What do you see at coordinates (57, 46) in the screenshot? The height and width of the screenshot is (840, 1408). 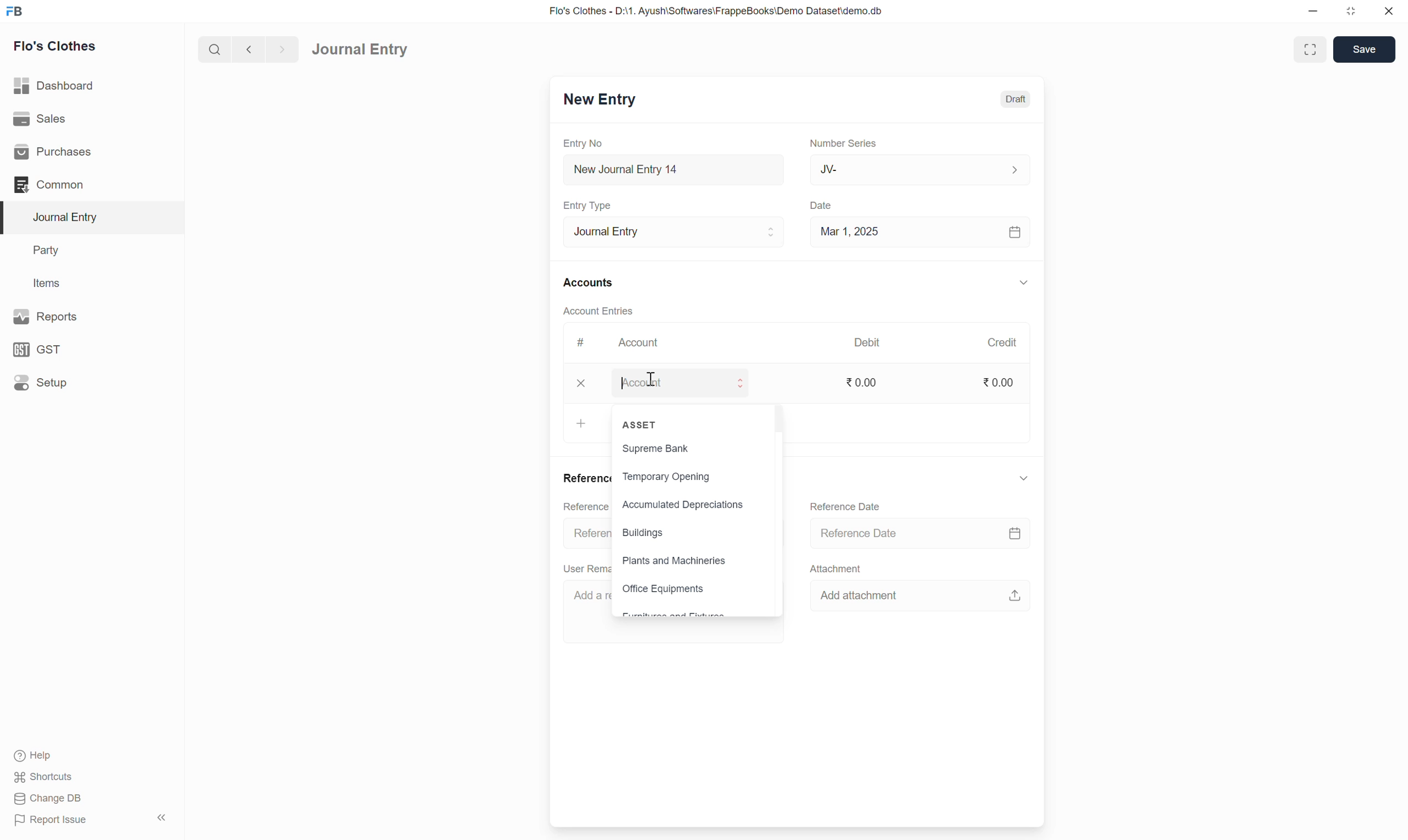 I see `Flo's Clothes` at bounding box center [57, 46].